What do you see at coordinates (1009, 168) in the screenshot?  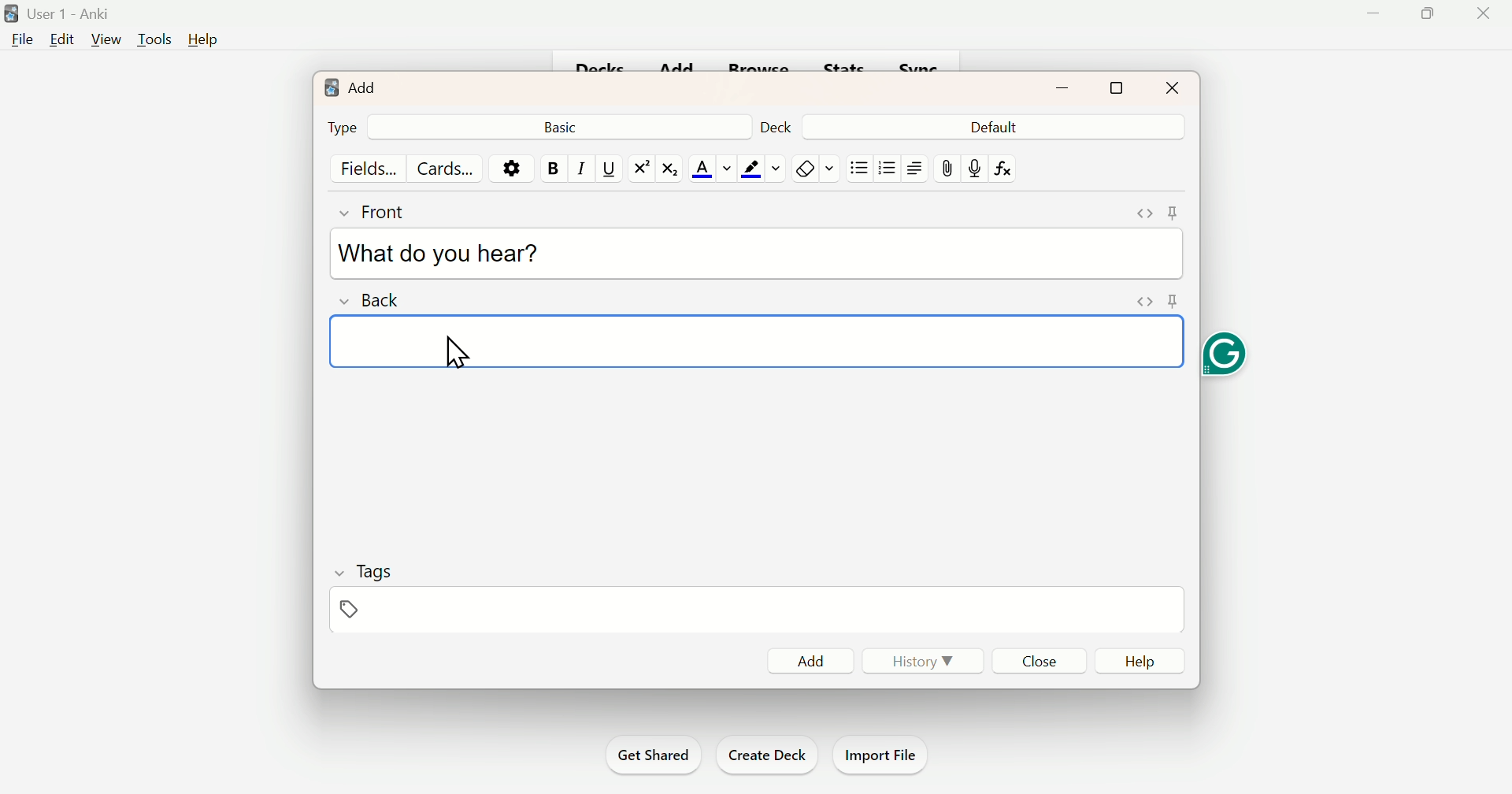 I see `fx` at bounding box center [1009, 168].